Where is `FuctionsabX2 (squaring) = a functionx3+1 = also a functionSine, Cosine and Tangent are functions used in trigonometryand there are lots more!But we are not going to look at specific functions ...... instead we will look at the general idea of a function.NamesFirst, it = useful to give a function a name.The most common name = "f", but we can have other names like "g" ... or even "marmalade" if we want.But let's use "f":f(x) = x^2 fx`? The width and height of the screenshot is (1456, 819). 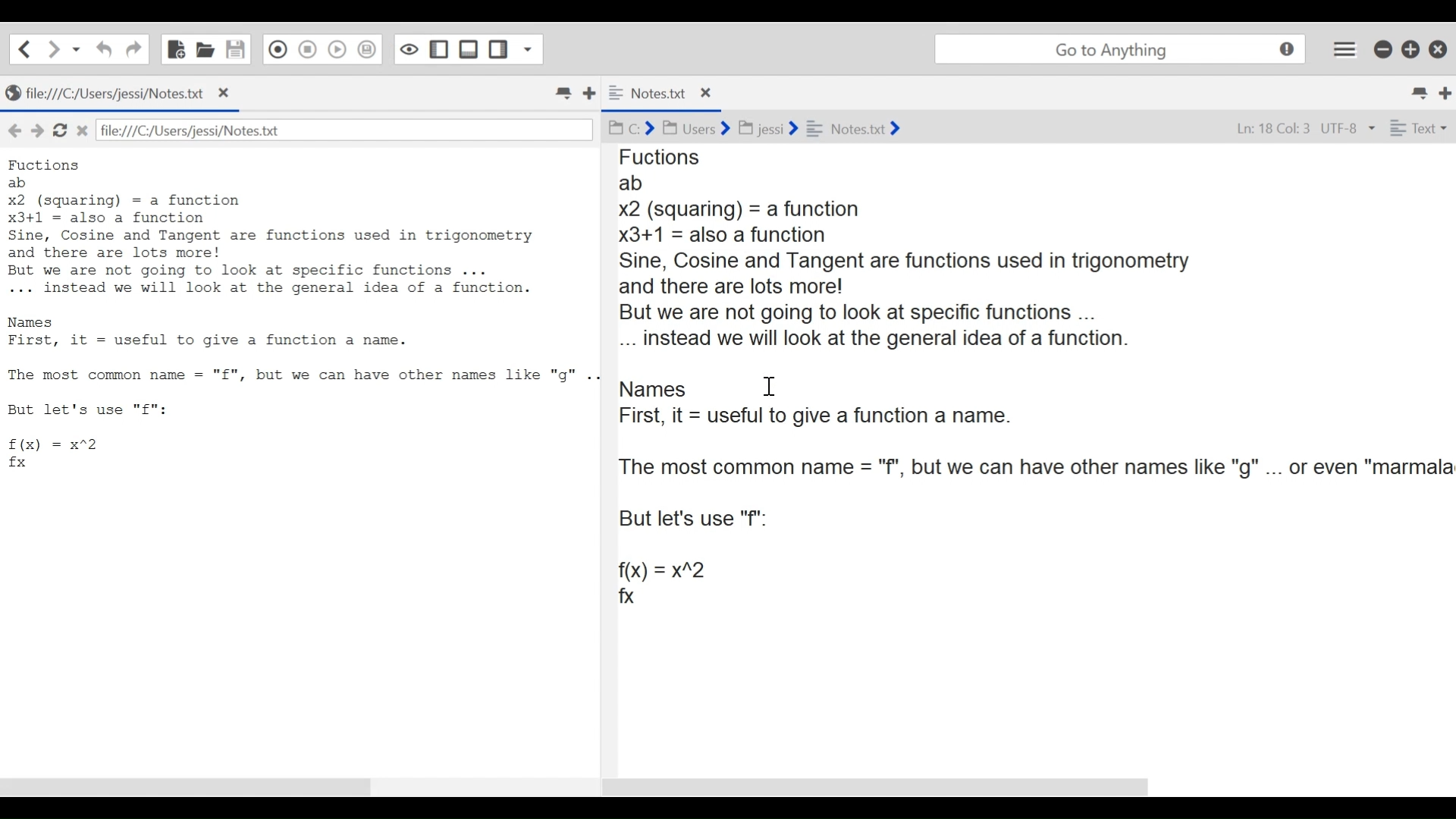
FuctionsabX2 (squaring) = a functionx3+1 = also a functionSine, Cosine and Tangent are functions used in trigonometryand there are lots more!But we are not going to look at specific functions ...... instead we will look at the general idea of a function.NamesFirst, it = useful to give a function a name.The most common name = "f", but we can have other names like "g" ... or even "marmalade" if we want.But let's use "f":f(x) = x^2 fx is located at coordinates (296, 314).